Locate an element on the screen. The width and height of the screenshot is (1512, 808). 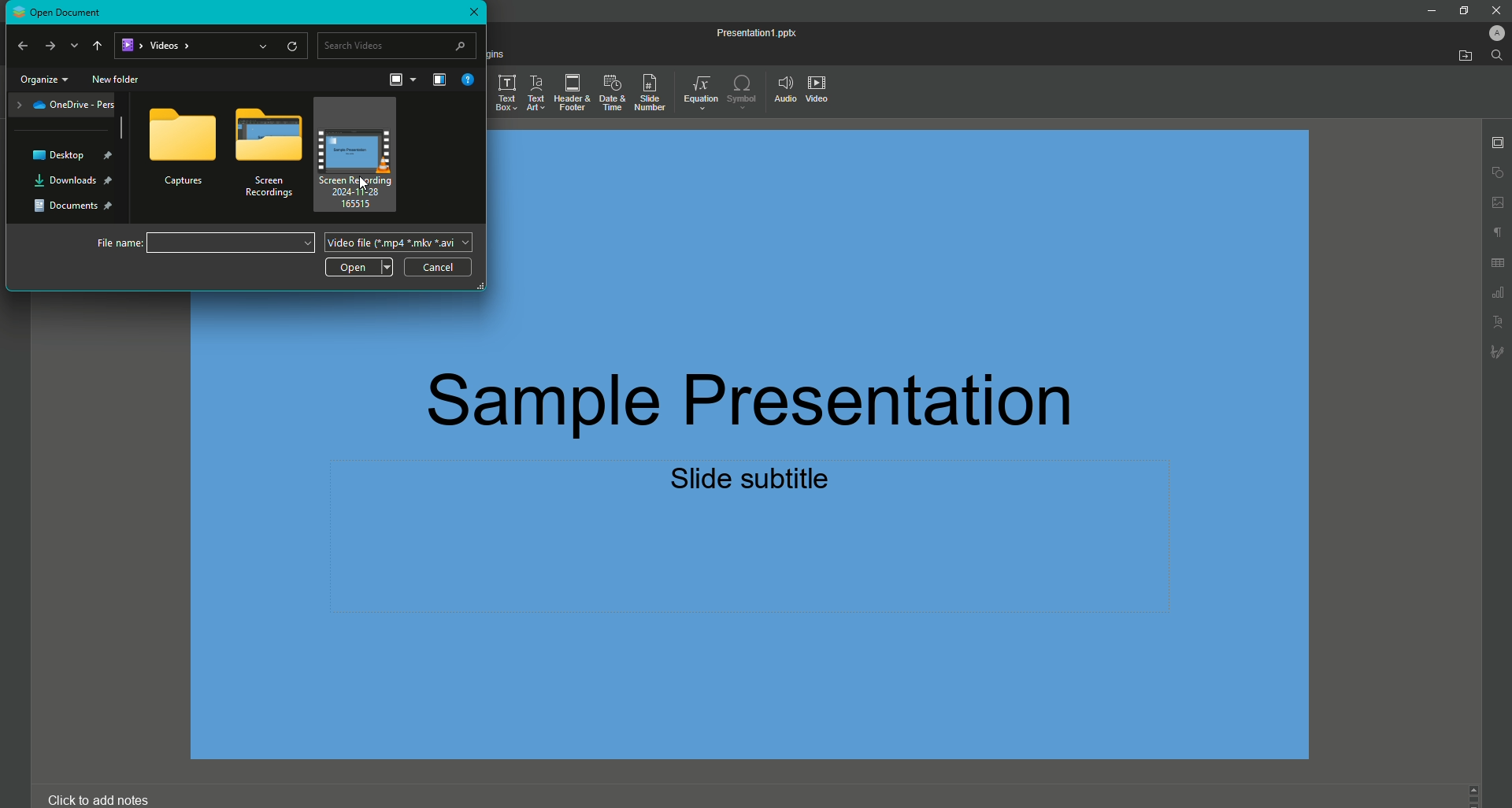
Options is located at coordinates (183, 152).